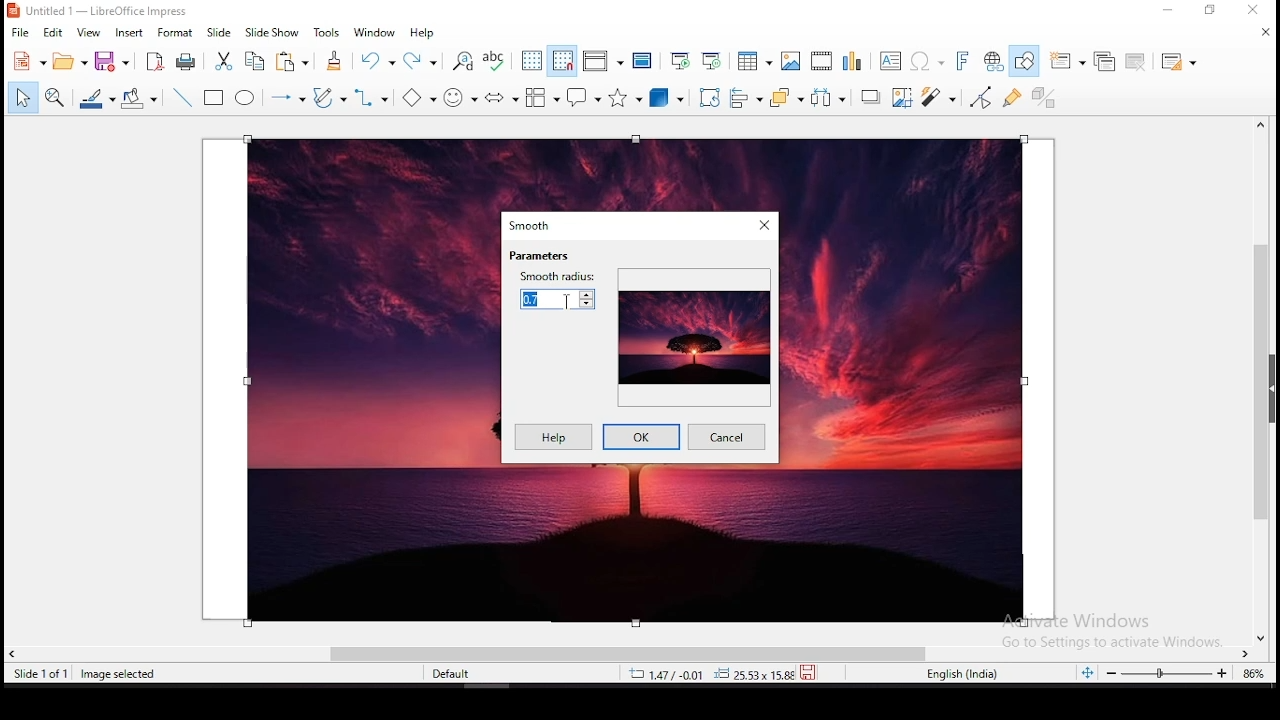 The width and height of the screenshot is (1280, 720). Describe the element at coordinates (419, 97) in the screenshot. I see `basic shapes` at that location.